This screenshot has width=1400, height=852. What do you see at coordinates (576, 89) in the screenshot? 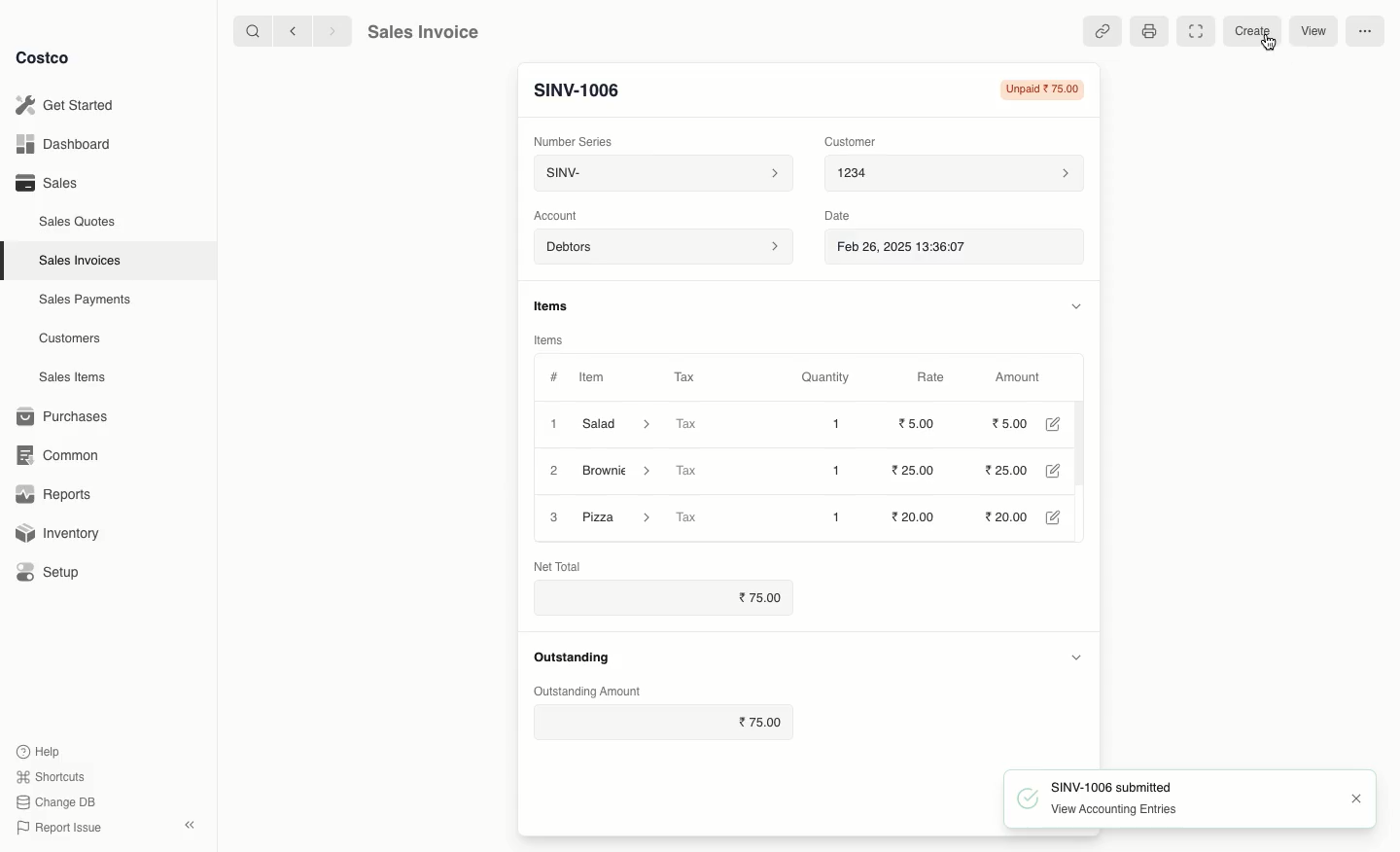
I see `New Entry` at bounding box center [576, 89].